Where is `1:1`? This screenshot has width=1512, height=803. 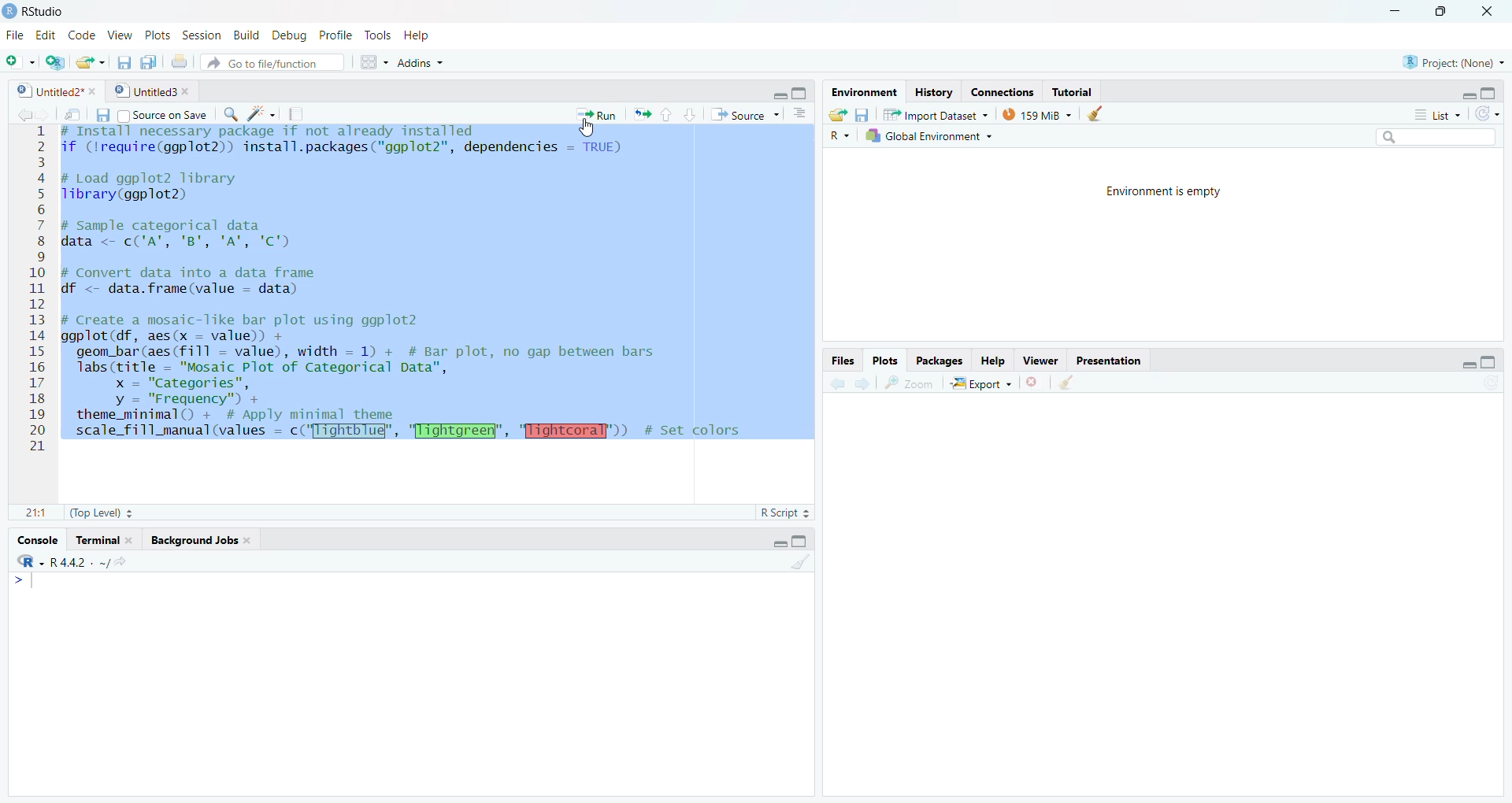 1:1 is located at coordinates (36, 513).